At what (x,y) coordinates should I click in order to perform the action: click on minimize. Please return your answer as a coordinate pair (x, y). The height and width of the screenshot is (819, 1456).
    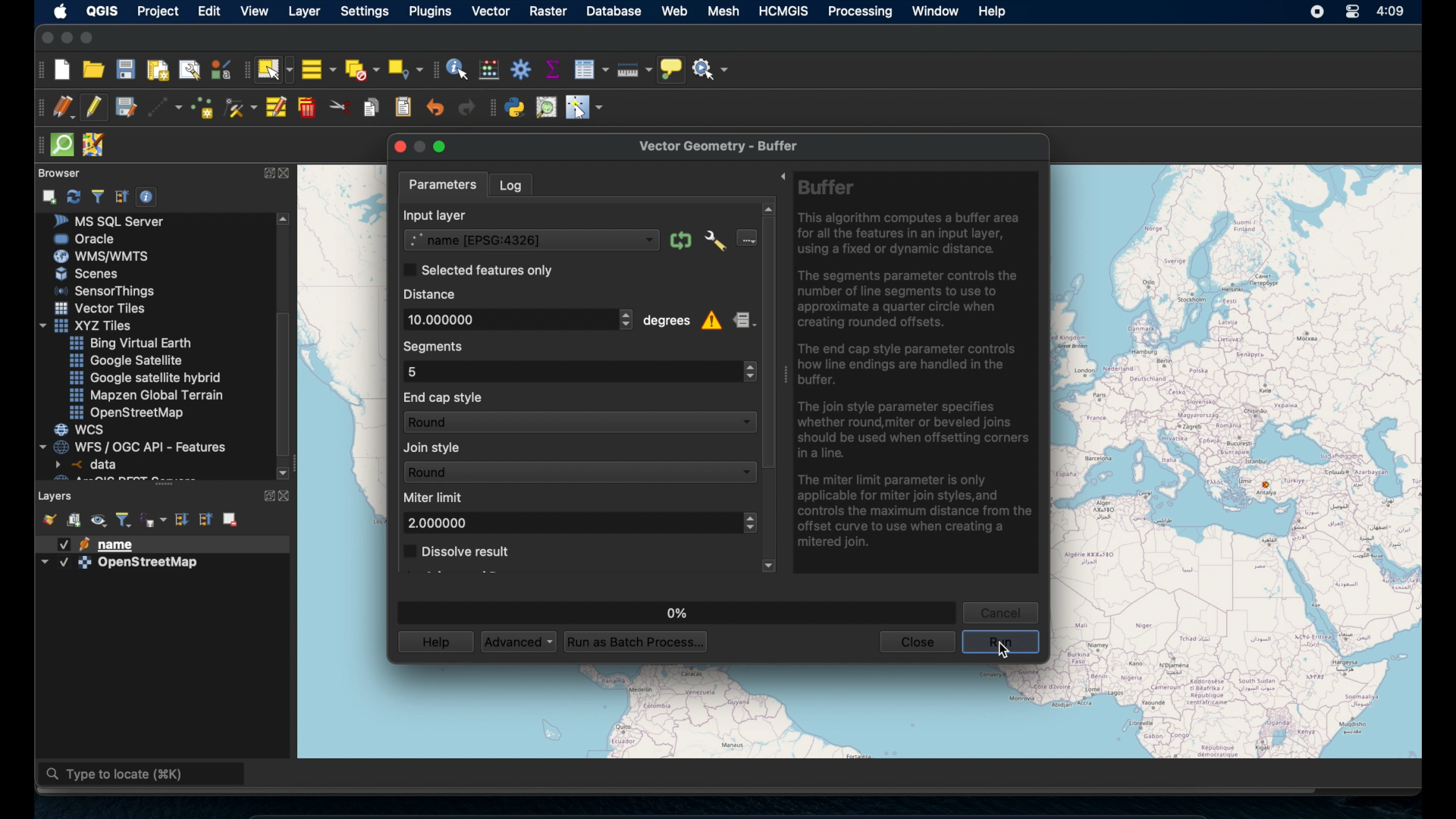
    Looking at the image, I should click on (65, 38).